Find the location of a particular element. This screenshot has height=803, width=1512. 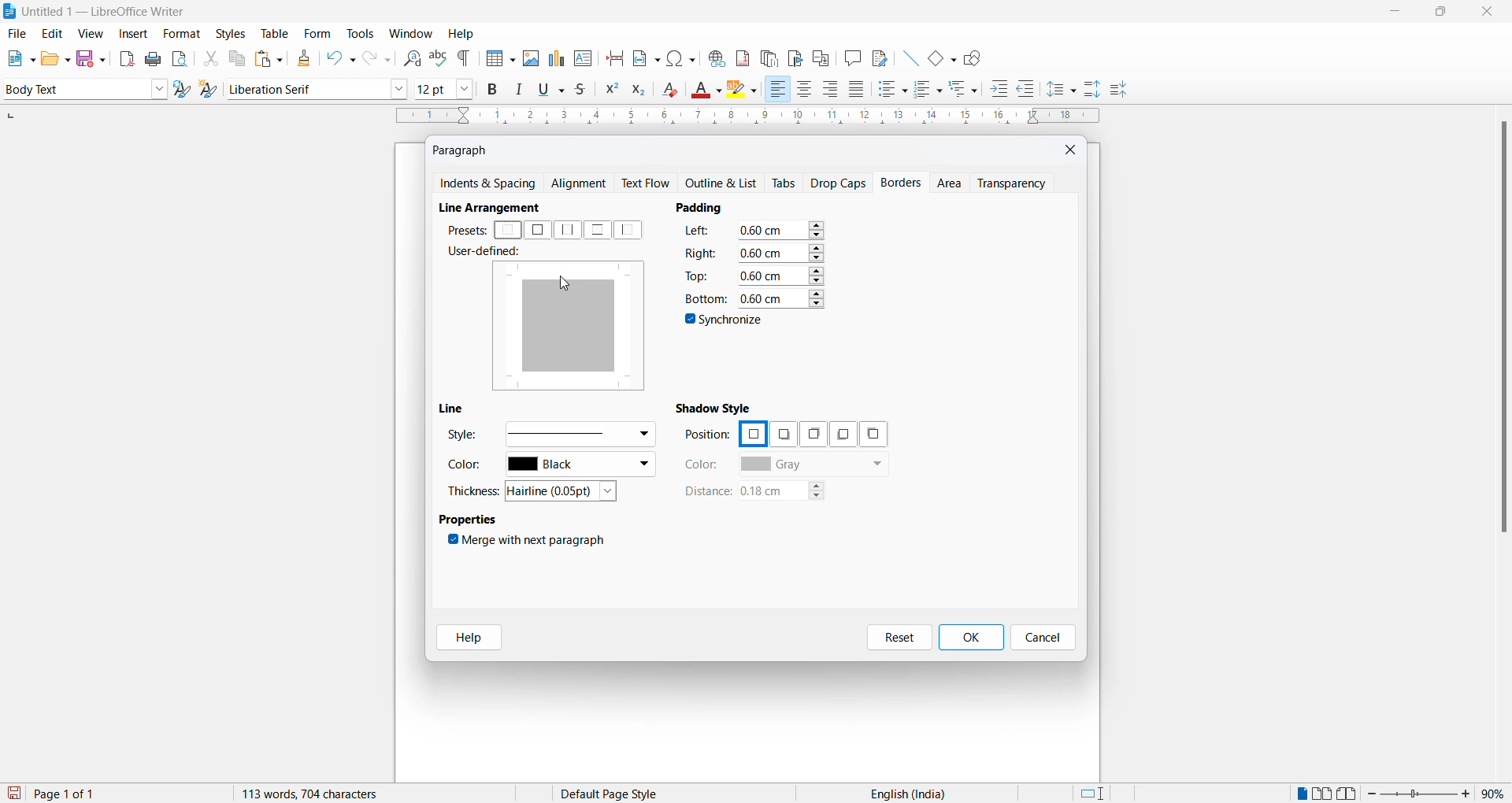

area is located at coordinates (951, 184).